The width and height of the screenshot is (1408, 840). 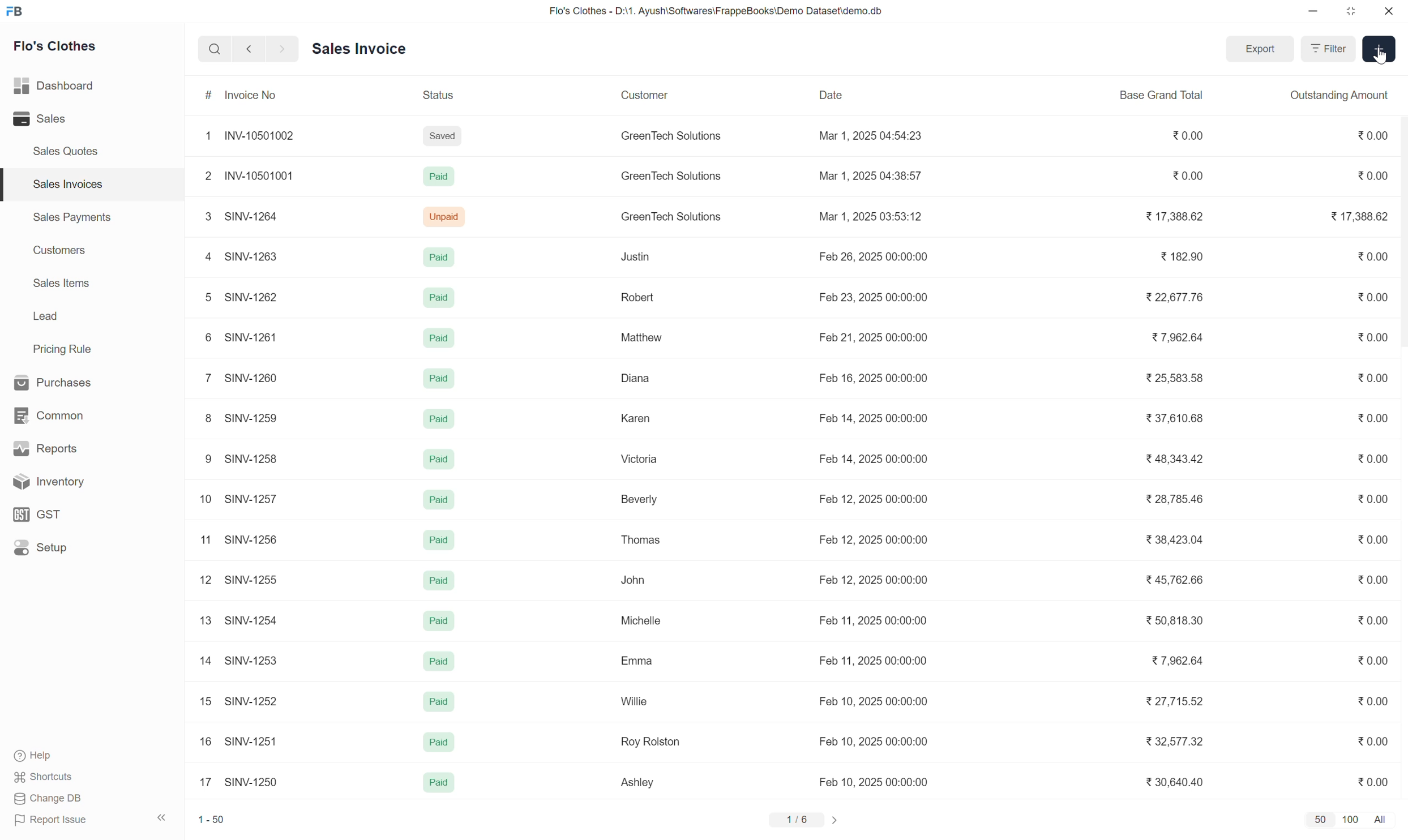 I want to click on Filter, so click(x=1326, y=48).